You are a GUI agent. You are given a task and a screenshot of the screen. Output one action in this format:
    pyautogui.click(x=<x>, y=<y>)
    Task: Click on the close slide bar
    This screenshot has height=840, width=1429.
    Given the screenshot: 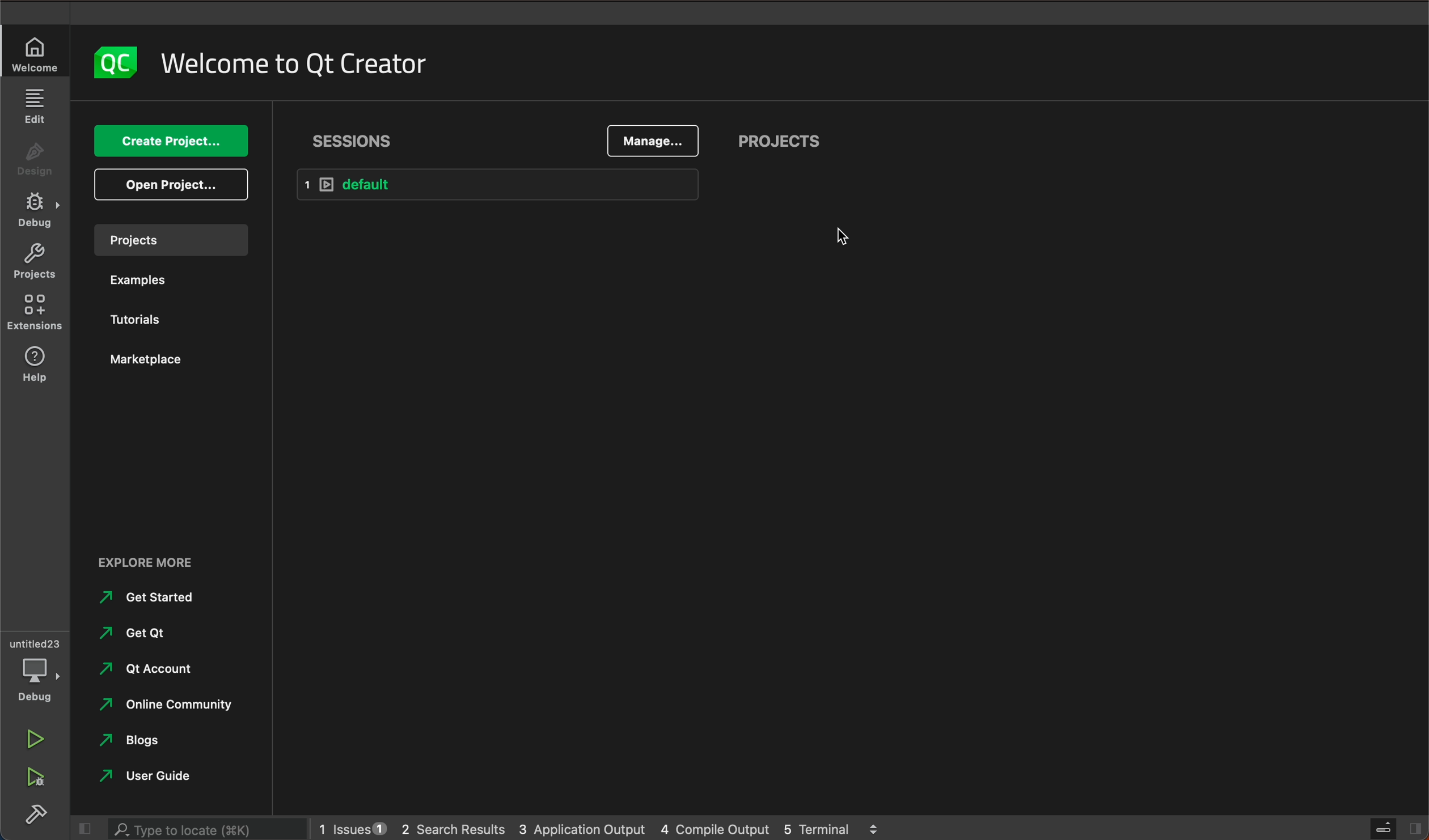 What is the action you would take?
    pyautogui.click(x=1390, y=828)
    